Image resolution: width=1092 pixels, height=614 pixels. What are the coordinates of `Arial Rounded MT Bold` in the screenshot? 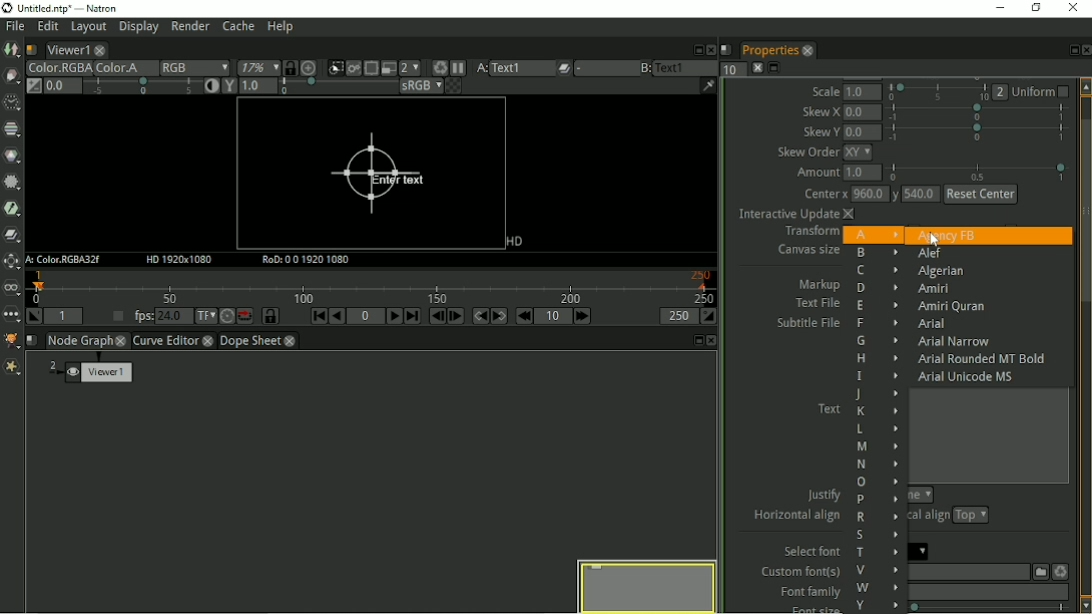 It's located at (983, 359).